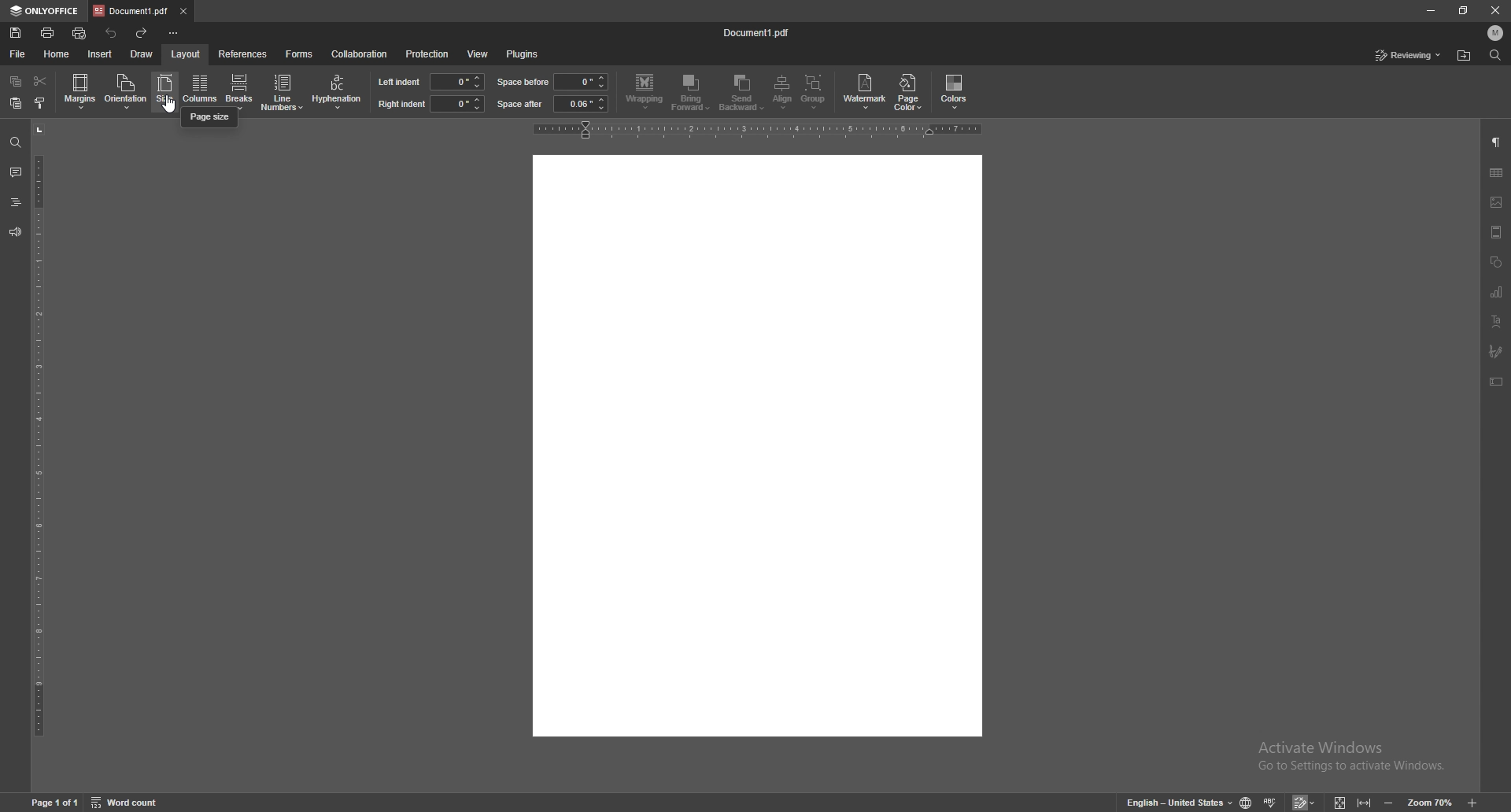 This screenshot has height=812, width=1511. What do you see at coordinates (1430, 10) in the screenshot?
I see `minimize` at bounding box center [1430, 10].